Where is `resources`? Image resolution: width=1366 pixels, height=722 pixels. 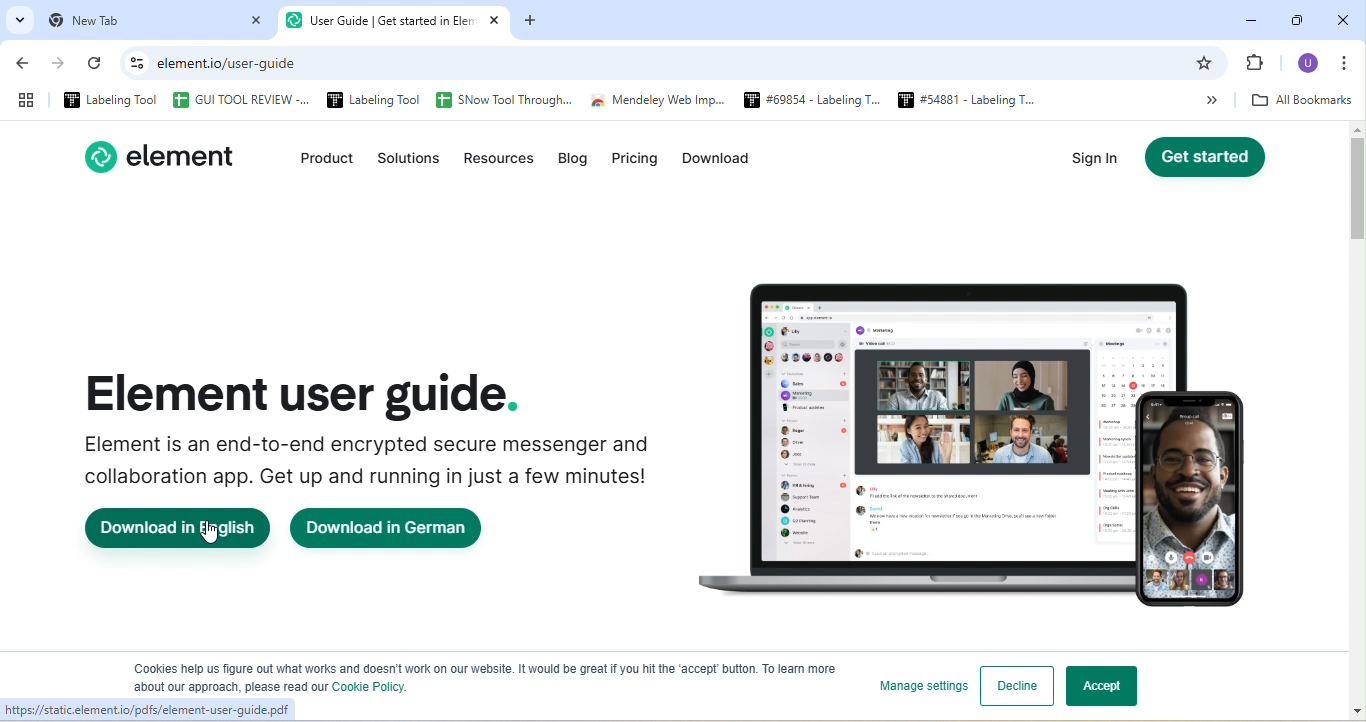 resources is located at coordinates (500, 162).